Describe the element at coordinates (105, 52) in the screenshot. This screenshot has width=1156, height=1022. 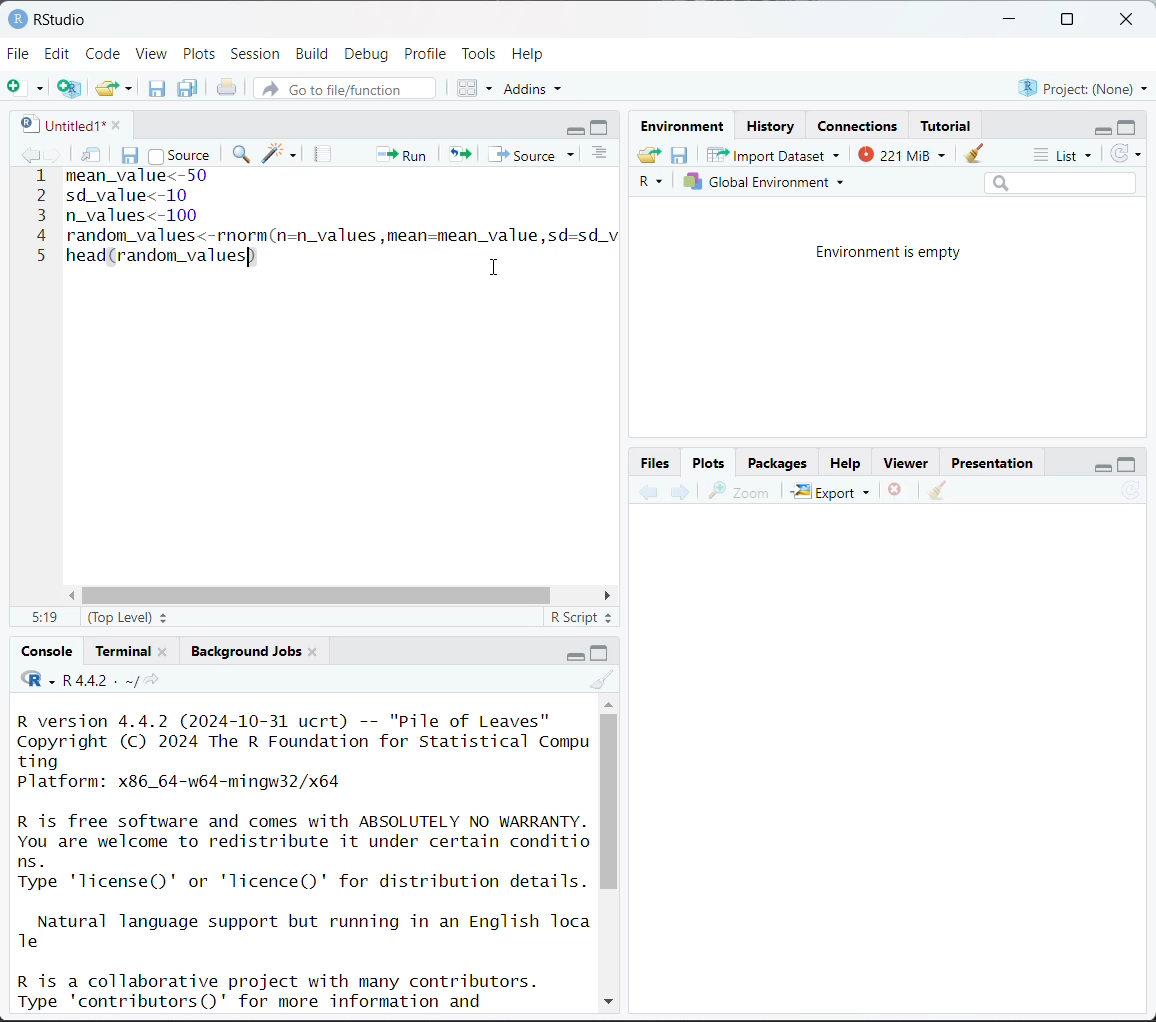
I see `Code` at that location.